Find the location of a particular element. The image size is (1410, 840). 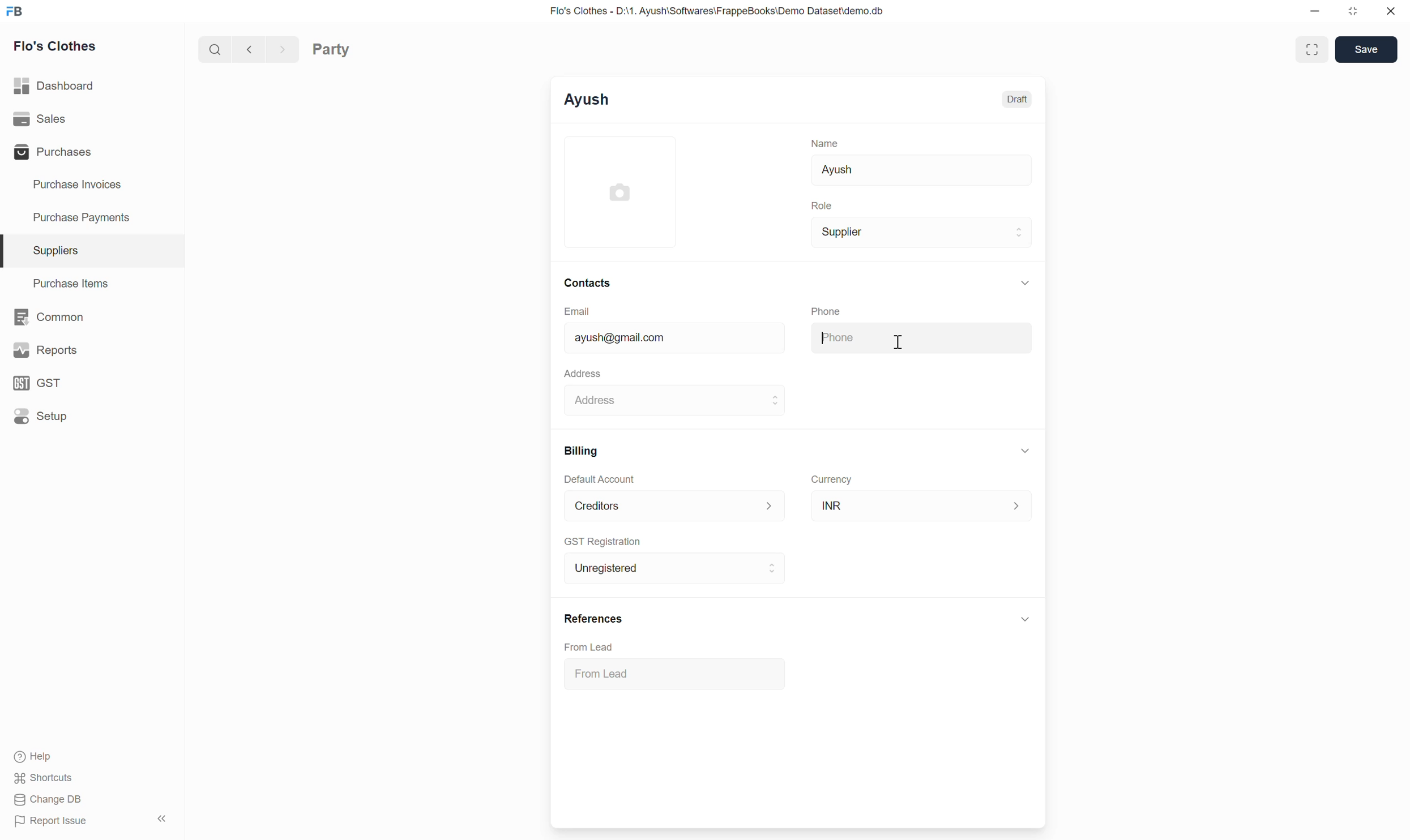

Ayush is located at coordinates (921, 170).